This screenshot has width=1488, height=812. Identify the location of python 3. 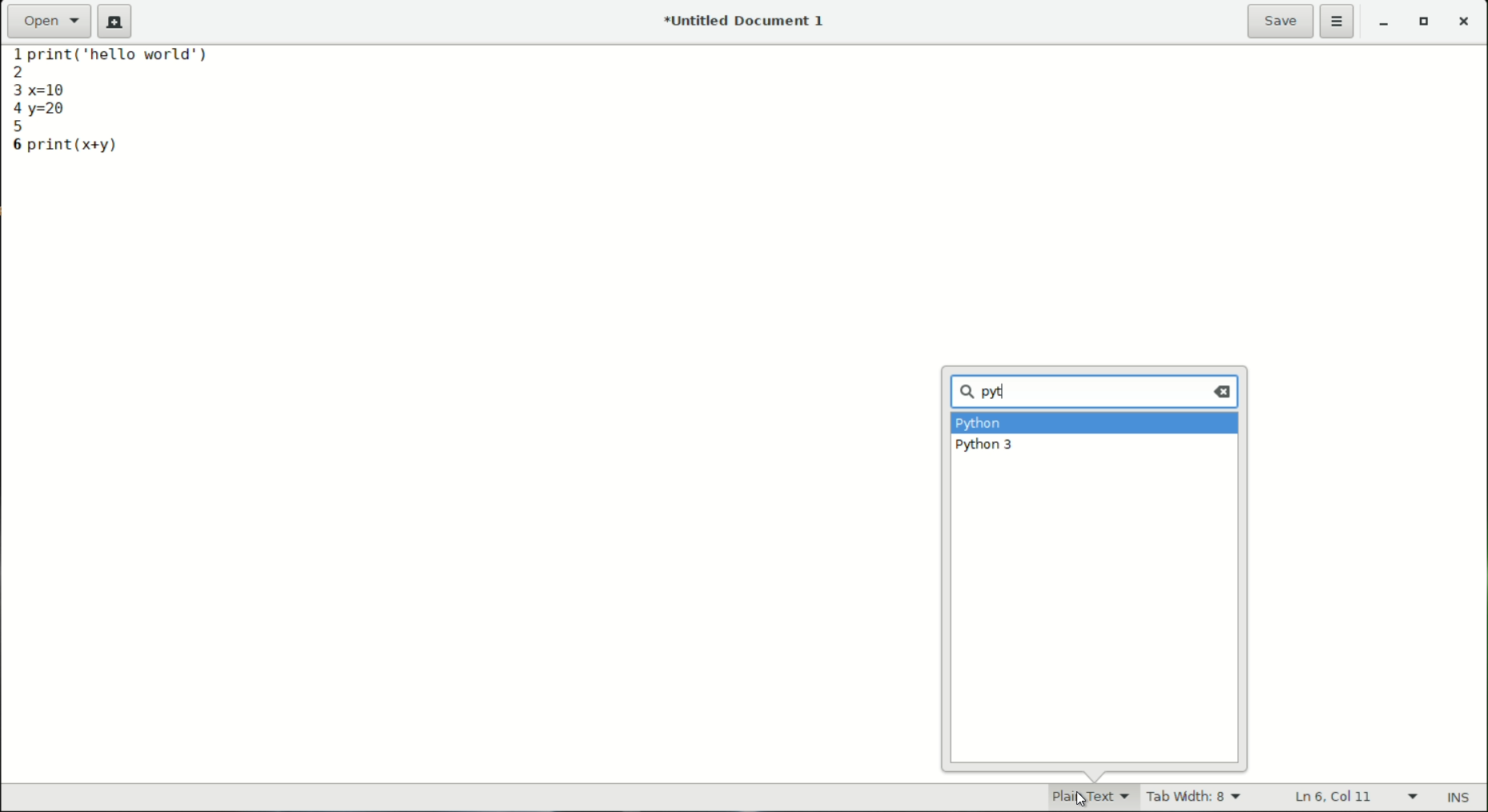
(985, 446).